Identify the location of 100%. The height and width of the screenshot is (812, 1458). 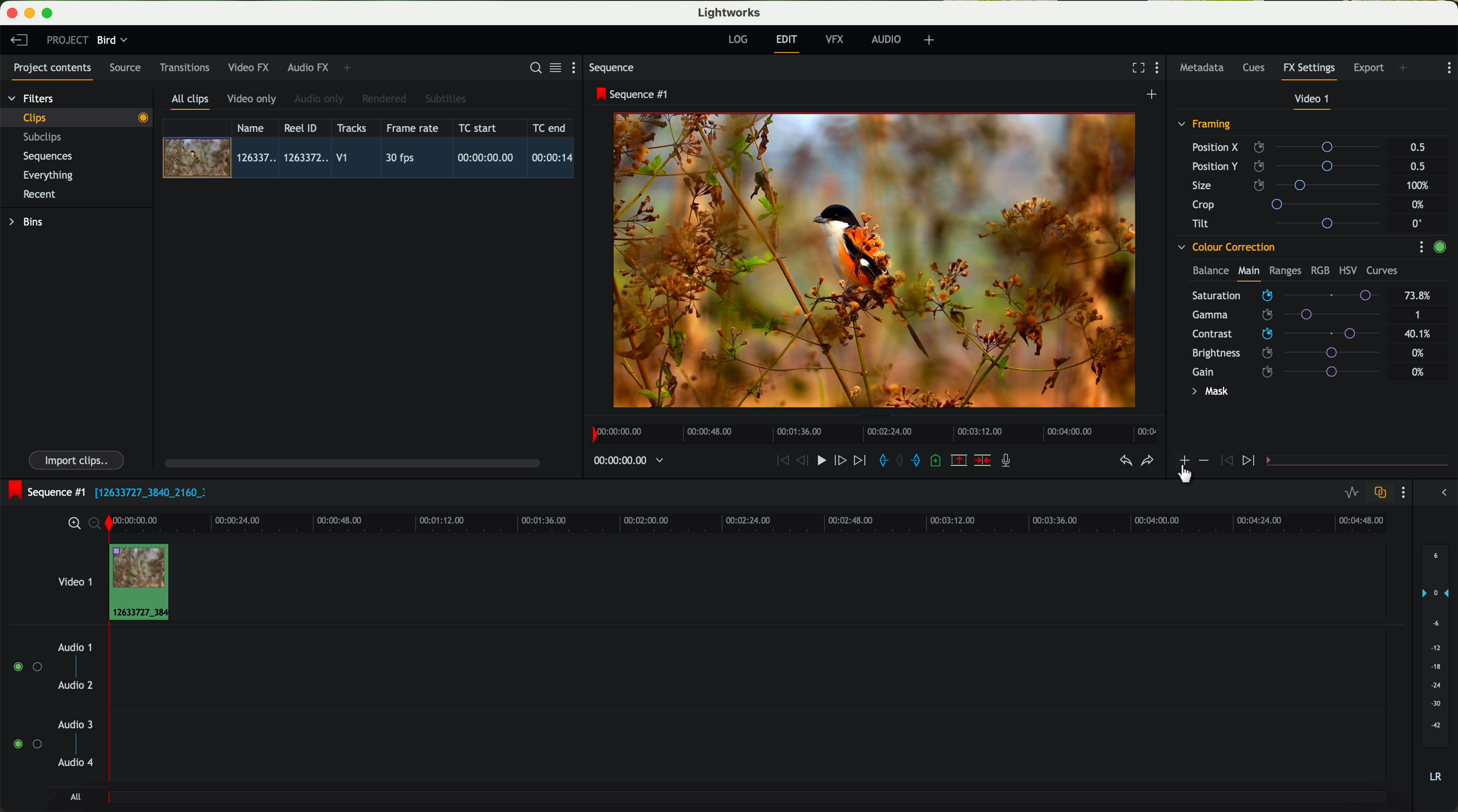
(1421, 186).